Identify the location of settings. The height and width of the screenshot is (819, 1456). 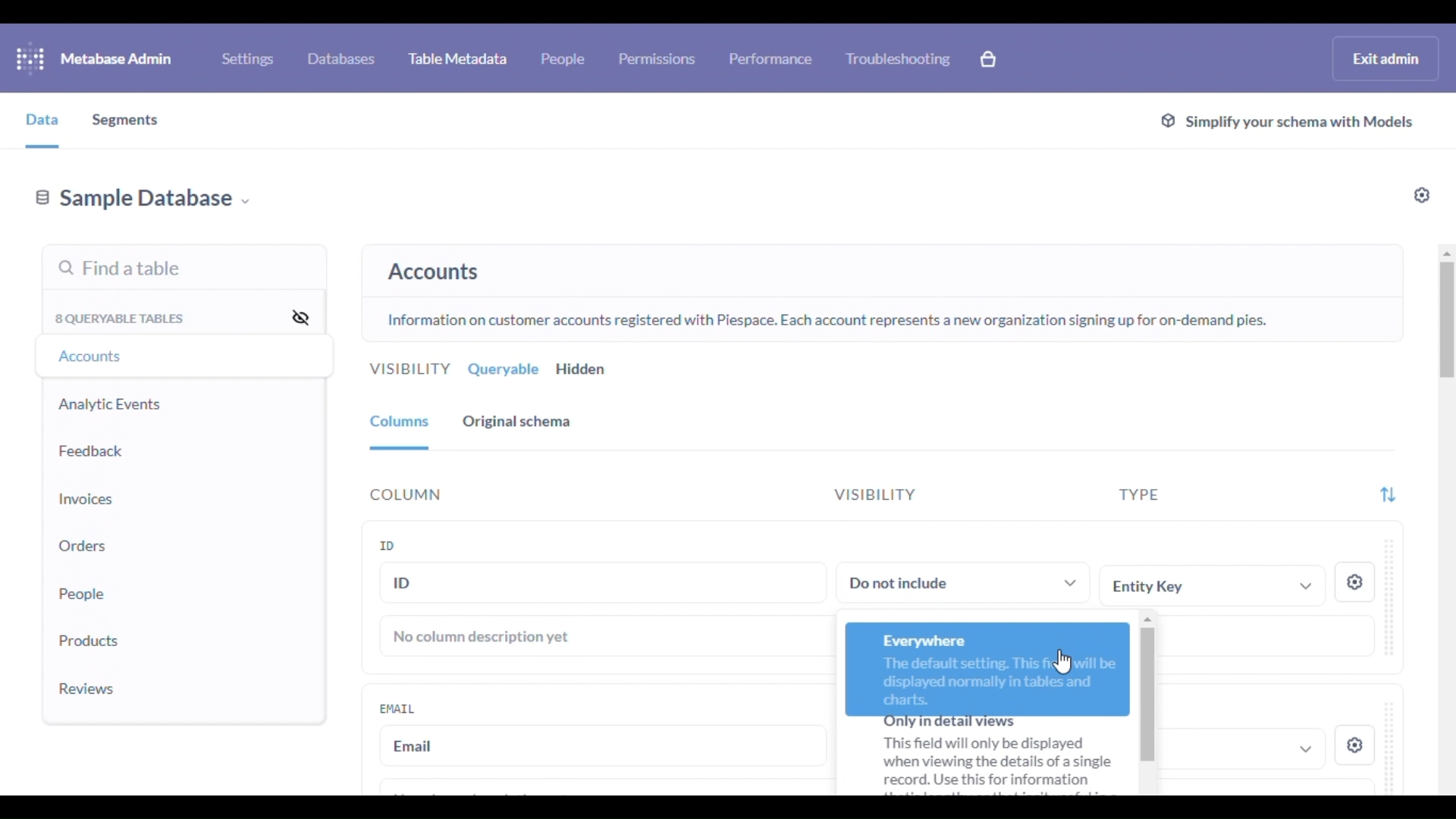
(1355, 582).